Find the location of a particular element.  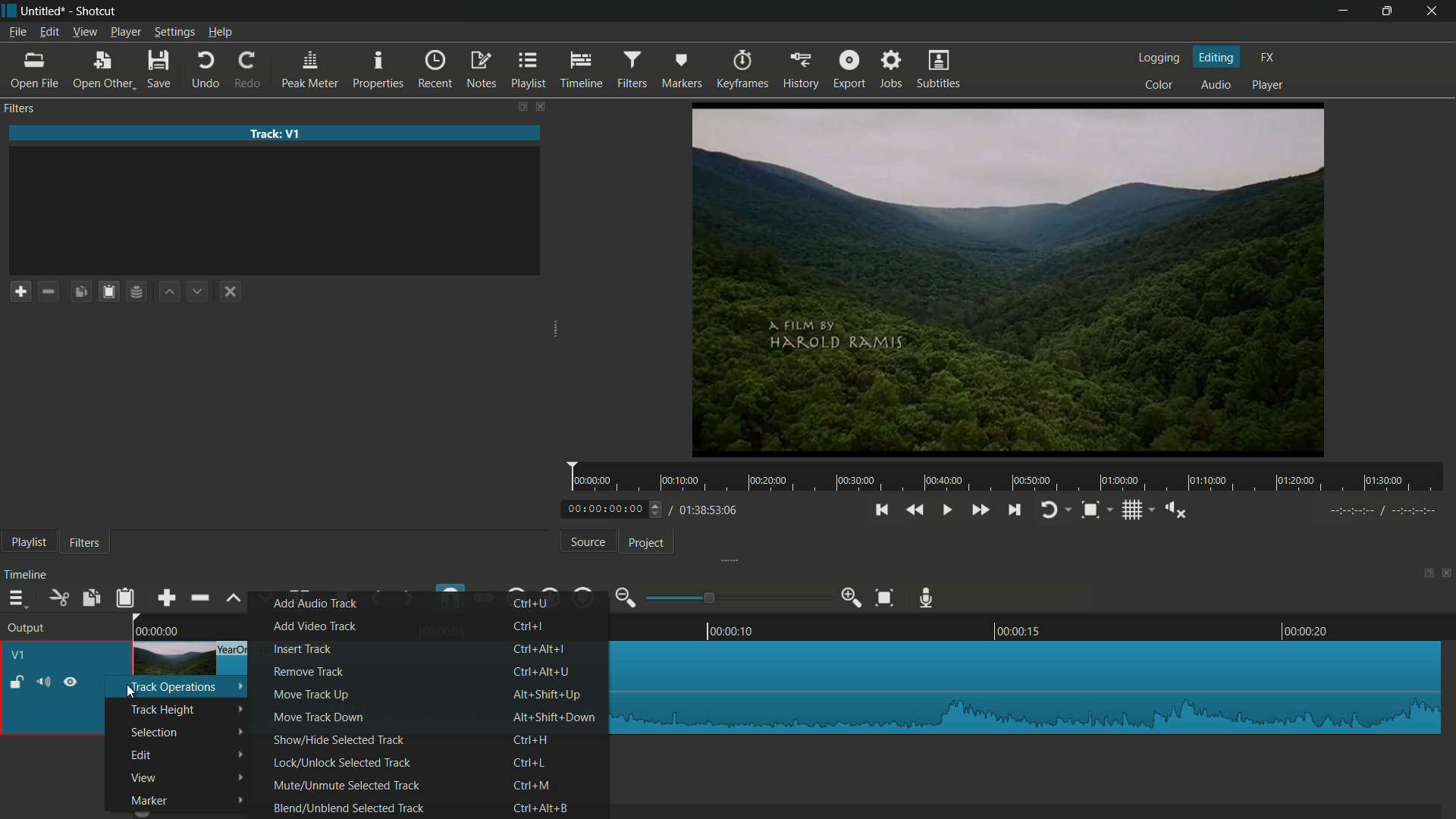

lock/unlock selected track is located at coordinates (344, 762).